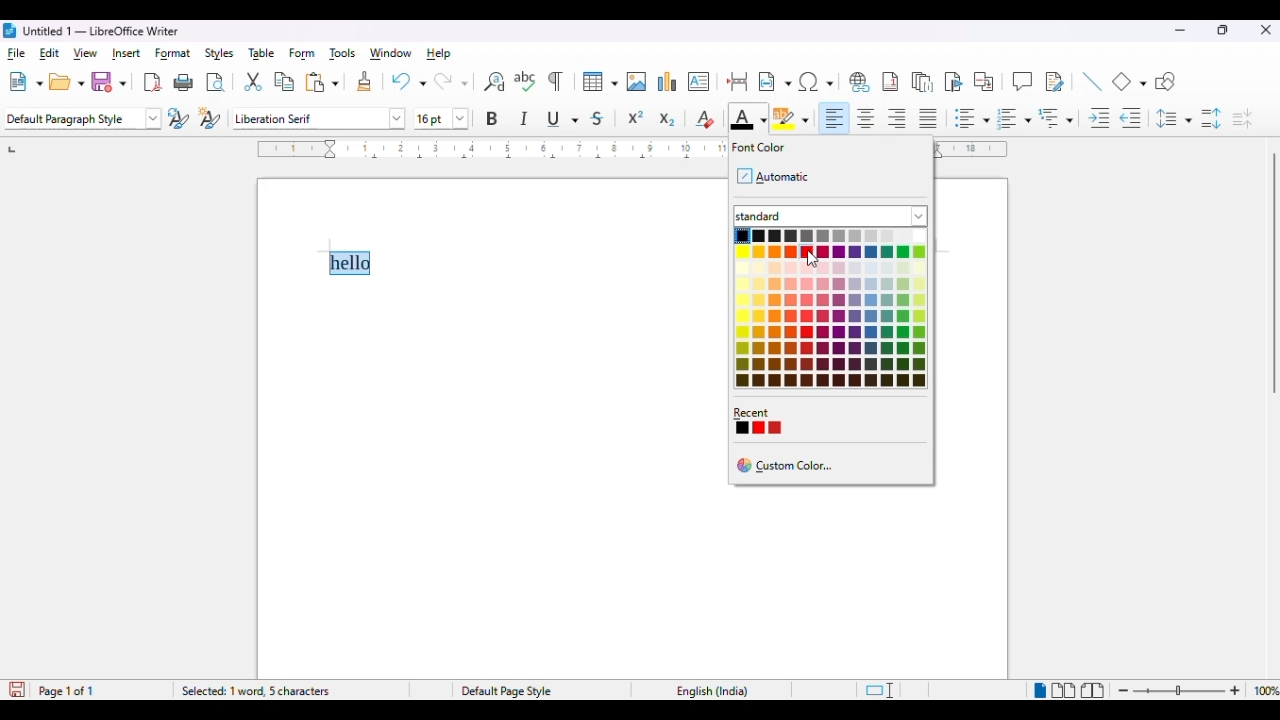  Describe the element at coordinates (408, 81) in the screenshot. I see `undo` at that location.